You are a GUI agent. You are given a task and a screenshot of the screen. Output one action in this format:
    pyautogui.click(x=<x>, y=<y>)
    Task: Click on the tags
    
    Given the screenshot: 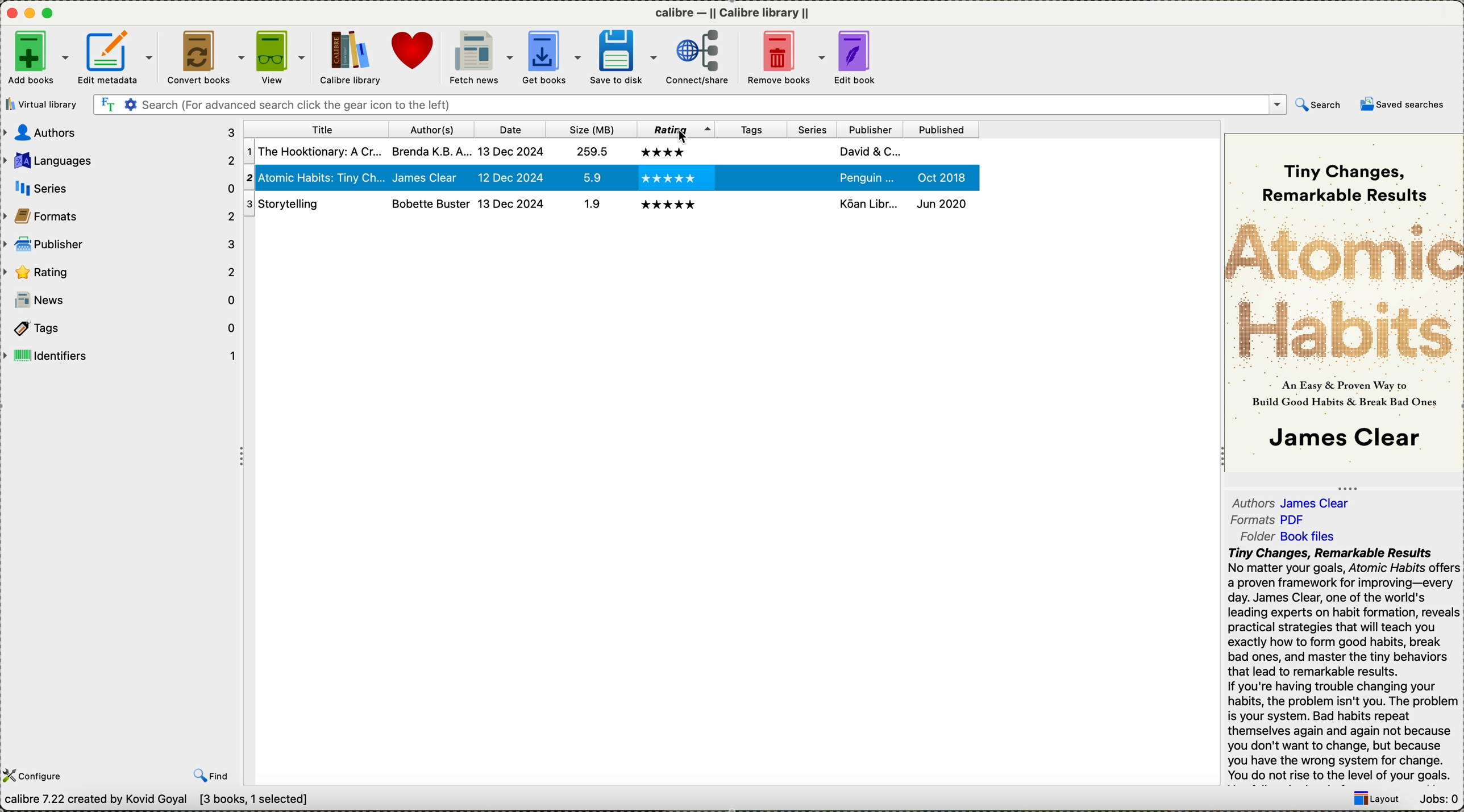 What is the action you would take?
    pyautogui.click(x=748, y=177)
    